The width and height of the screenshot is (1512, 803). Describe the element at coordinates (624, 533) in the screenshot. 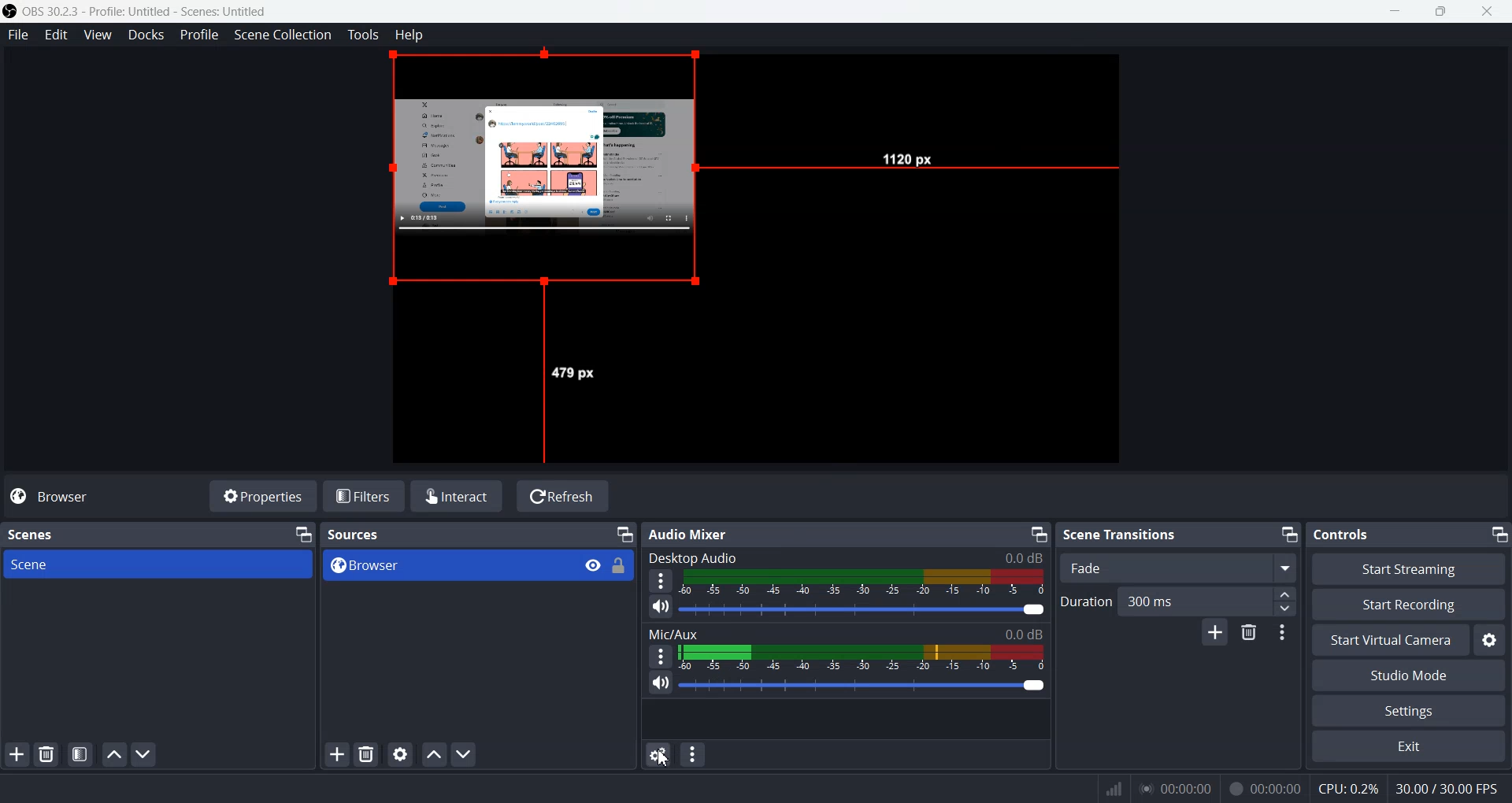

I see `Minimize` at that location.